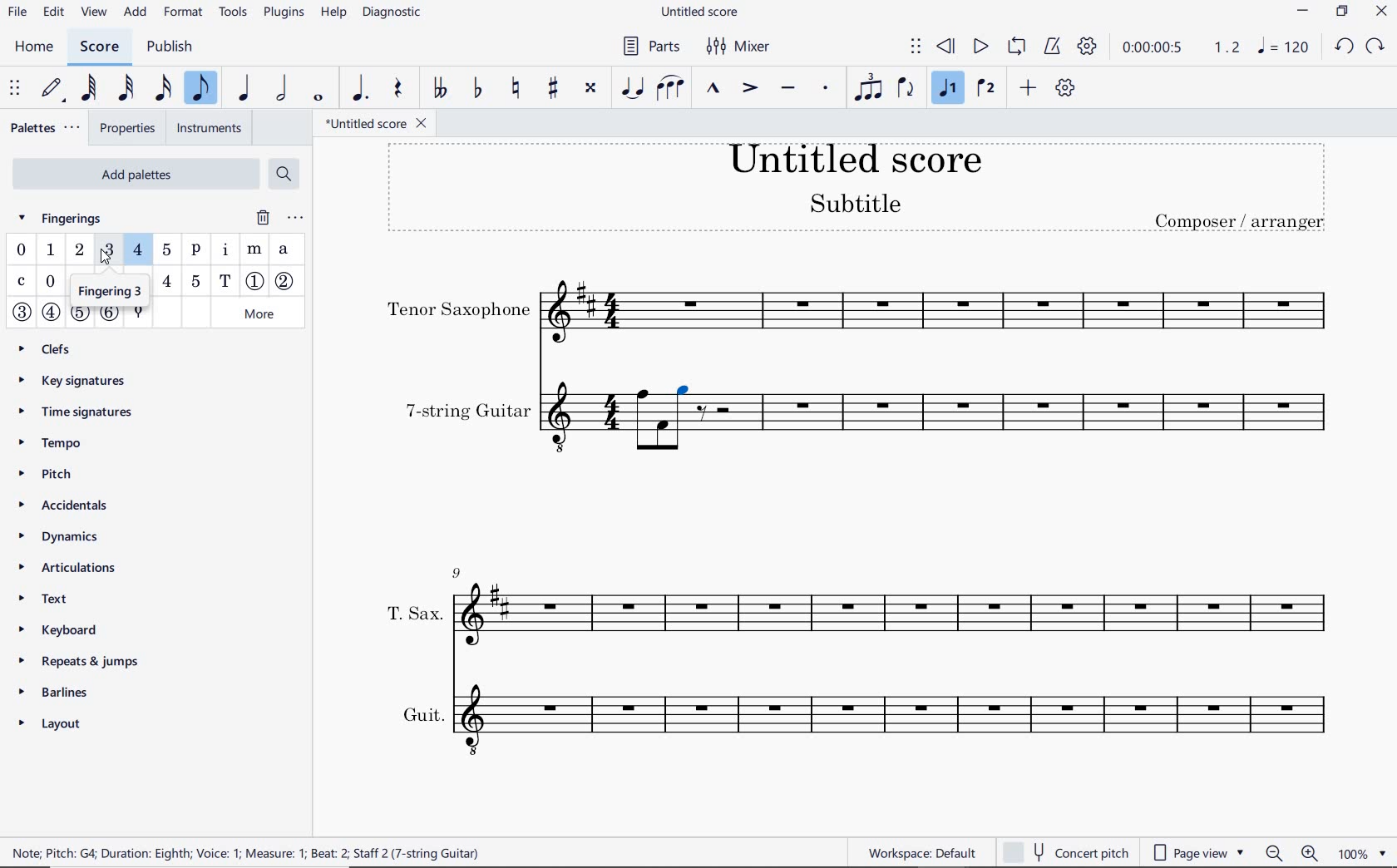 Image resolution: width=1397 pixels, height=868 pixels. Describe the element at coordinates (917, 47) in the screenshot. I see `SELECT TO MOVE` at that location.